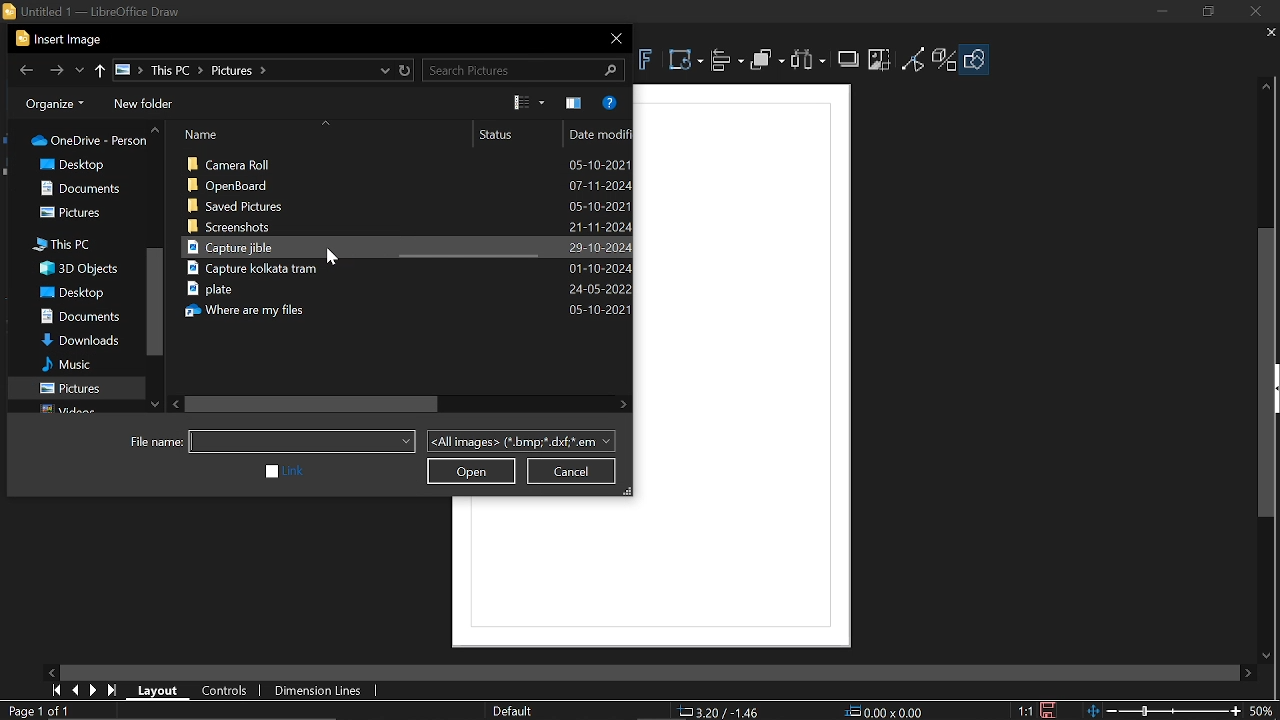 This screenshot has width=1280, height=720. What do you see at coordinates (912, 63) in the screenshot?
I see `Toggle point edit mode` at bounding box center [912, 63].